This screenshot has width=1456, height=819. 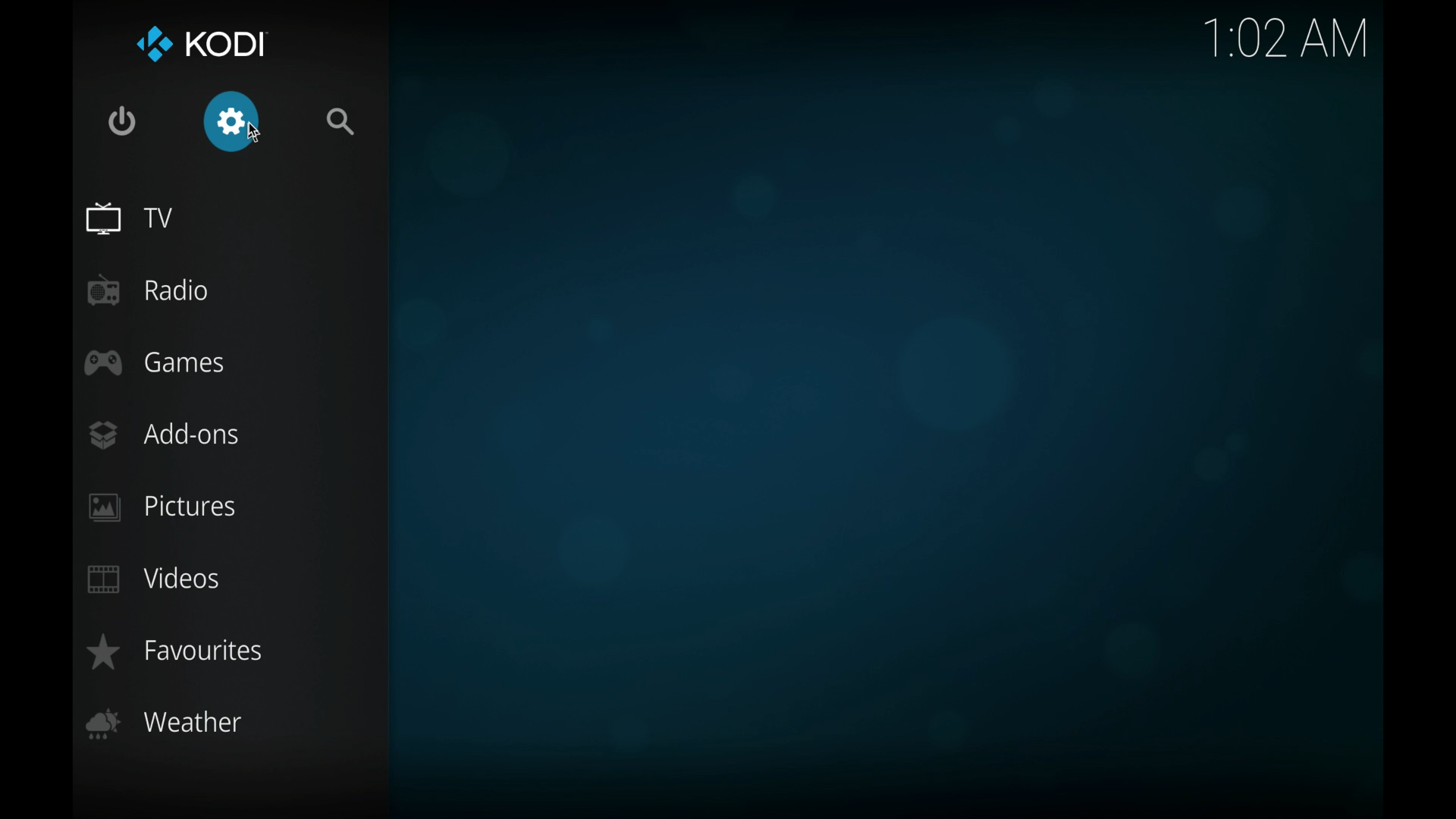 I want to click on 1:02 AM, so click(x=1290, y=42).